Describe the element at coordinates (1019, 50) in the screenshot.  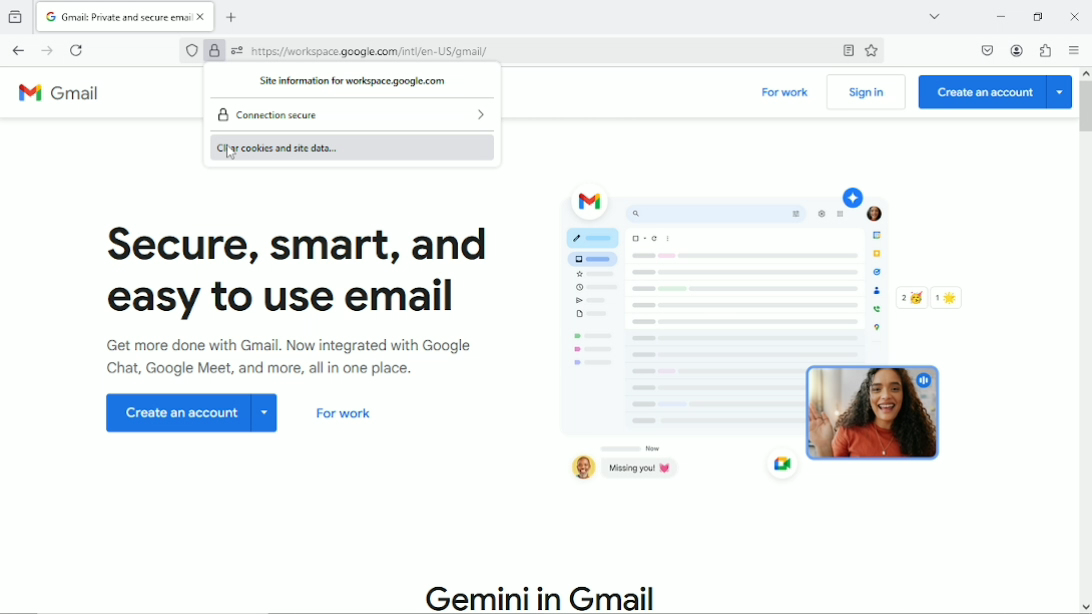
I see `Account` at that location.